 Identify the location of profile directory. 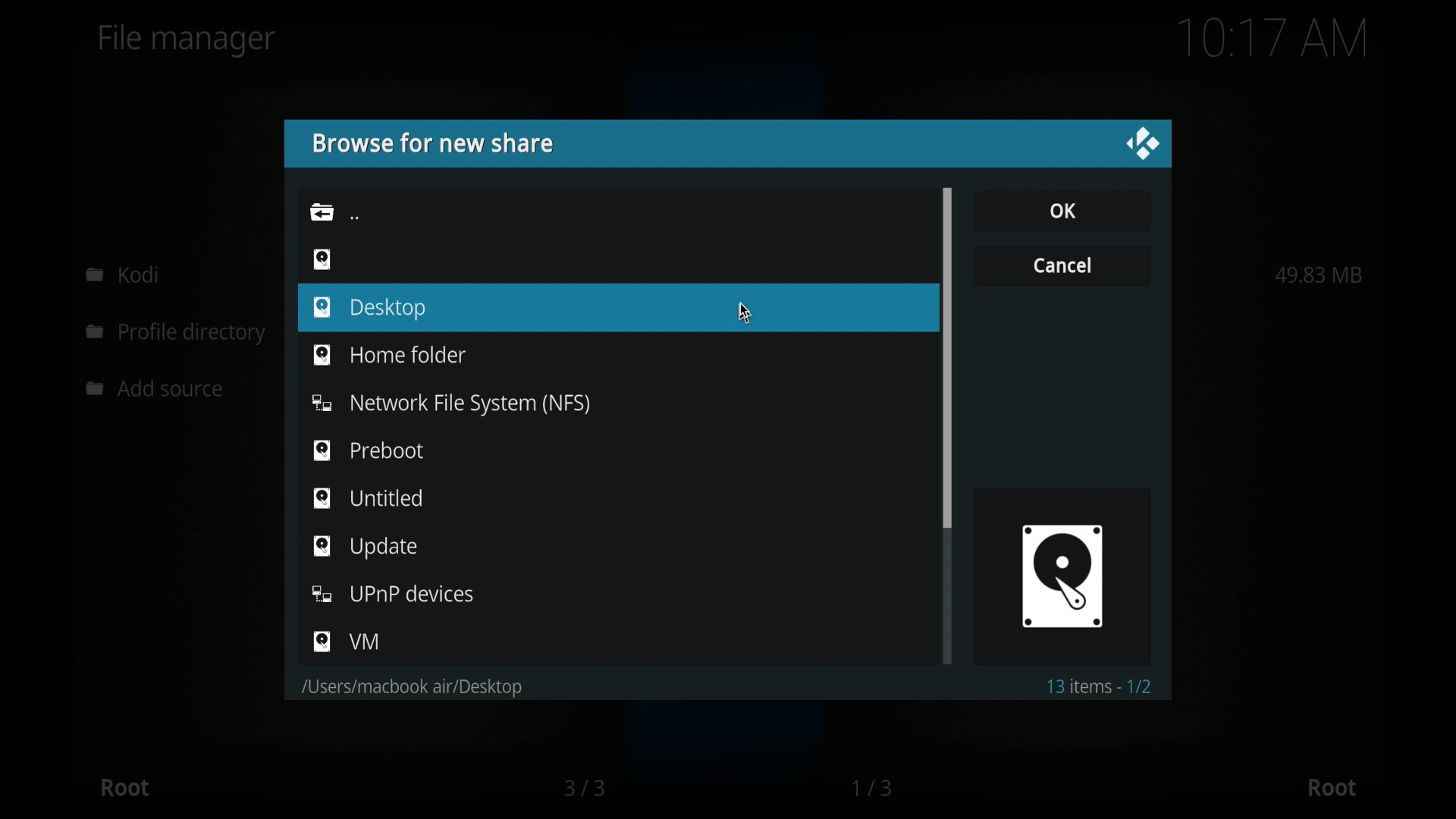
(179, 334).